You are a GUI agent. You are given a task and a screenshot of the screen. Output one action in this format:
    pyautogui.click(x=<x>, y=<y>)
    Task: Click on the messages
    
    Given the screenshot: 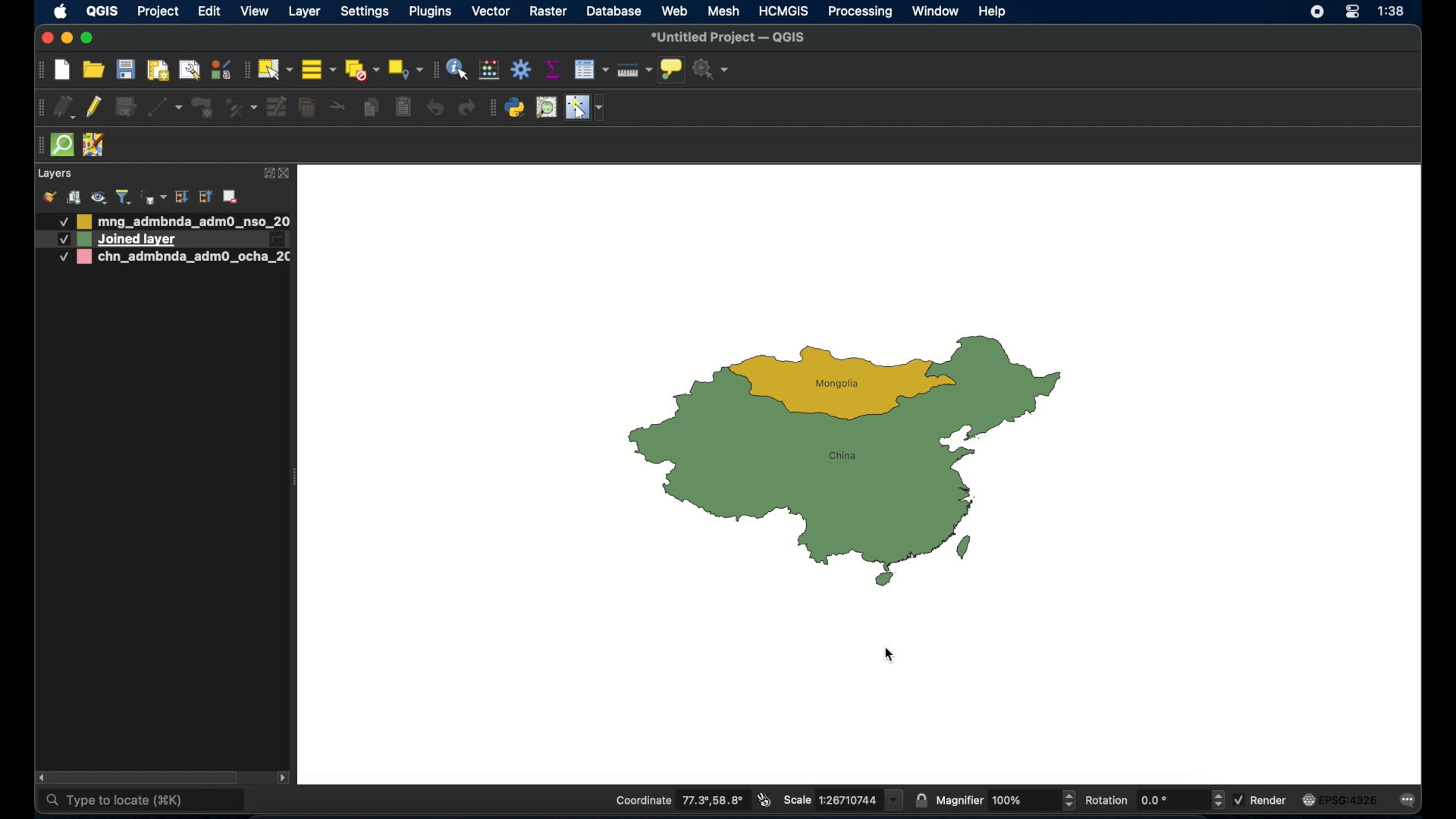 What is the action you would take?
    pyautogui.click(x=1410, y=801)
    